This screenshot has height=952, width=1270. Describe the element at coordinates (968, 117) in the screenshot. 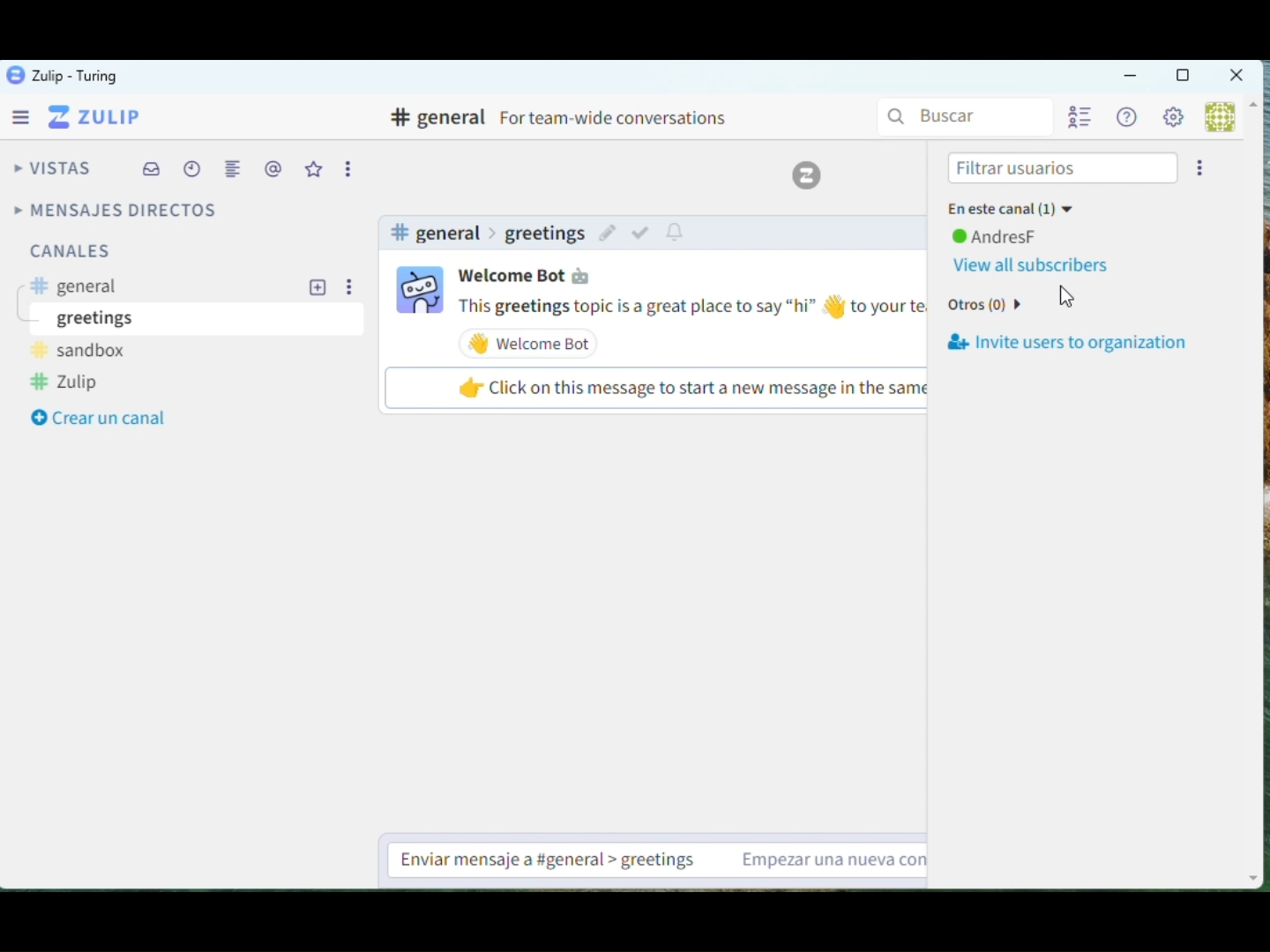

I see `Search` at that location.